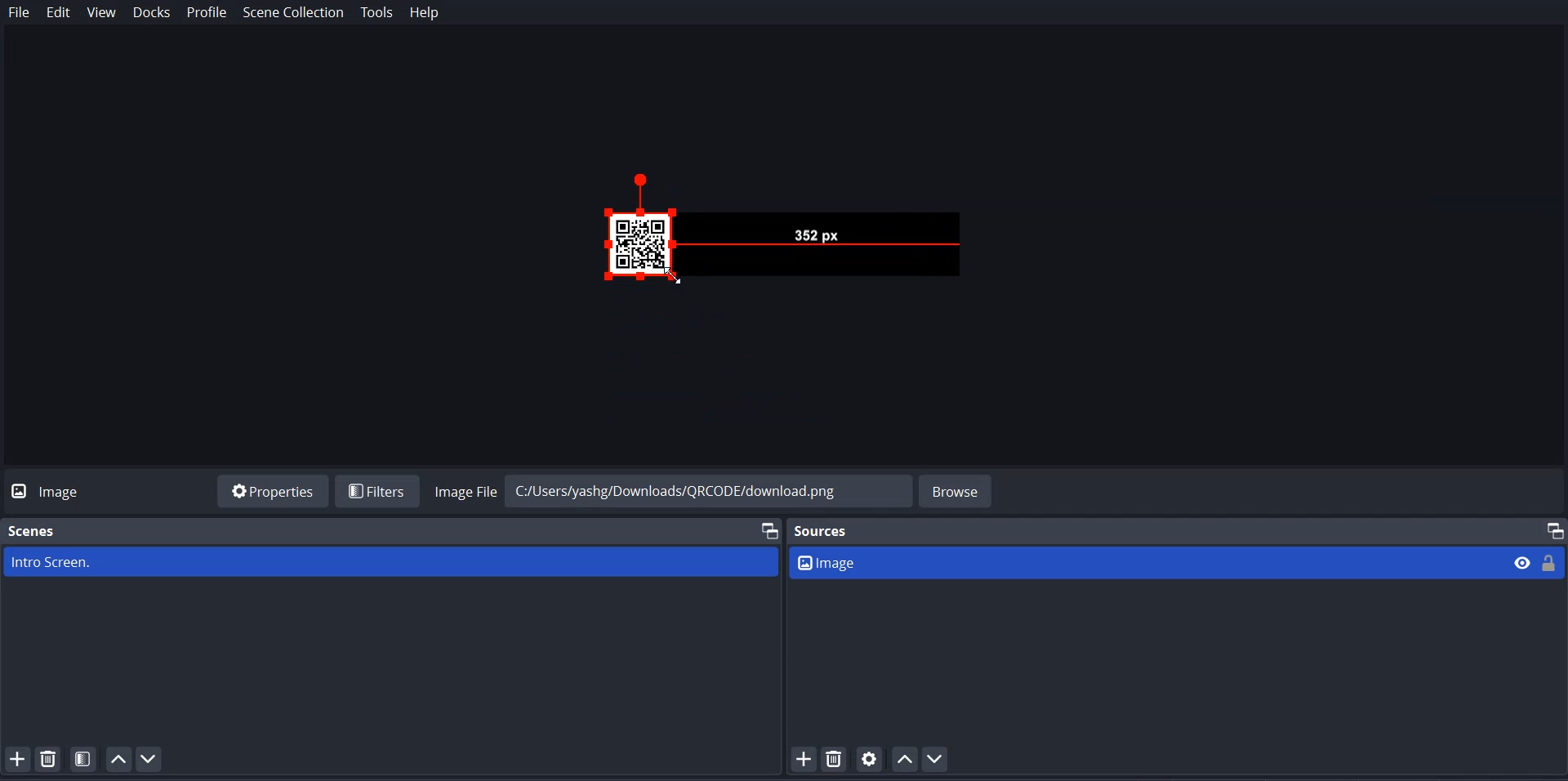  I want to click on C:/Users/yashg/Downloads/QRCODE/download.png, so click(699, 489).